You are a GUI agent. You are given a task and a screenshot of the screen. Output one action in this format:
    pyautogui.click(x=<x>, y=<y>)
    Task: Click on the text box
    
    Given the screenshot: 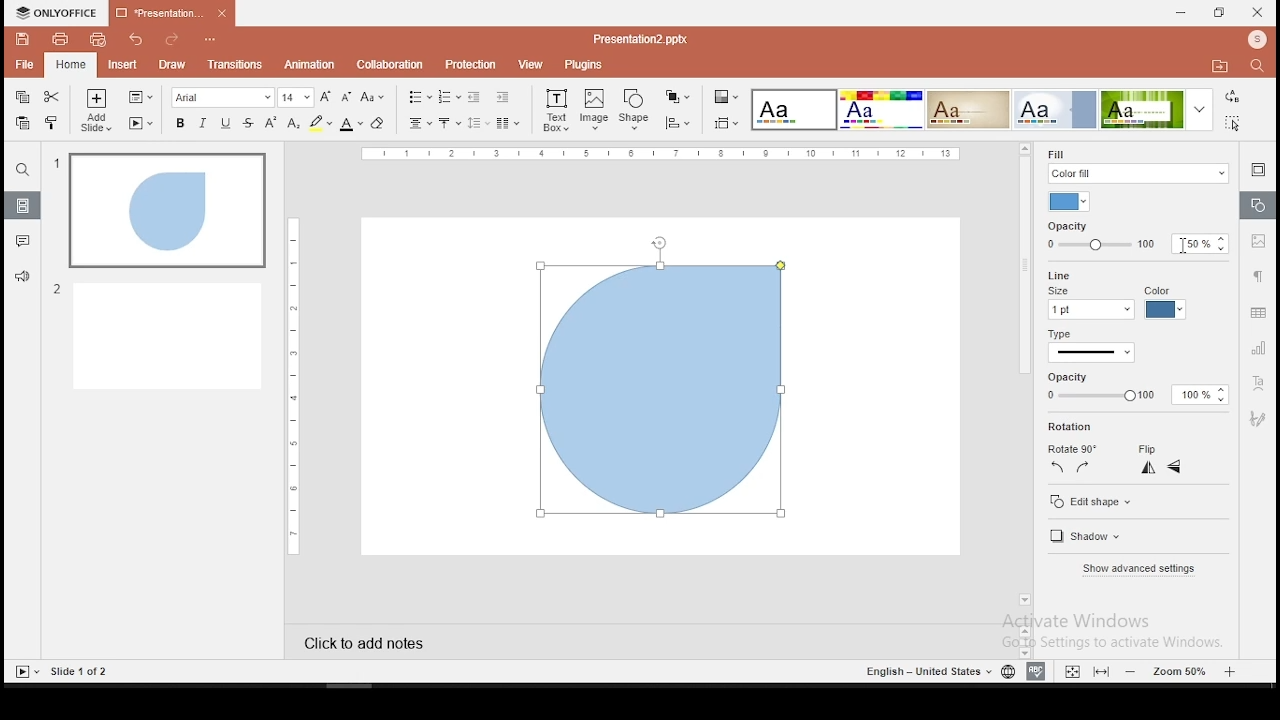 What is the action you would take?
    pyautogui.click(x=556, y=110)
    